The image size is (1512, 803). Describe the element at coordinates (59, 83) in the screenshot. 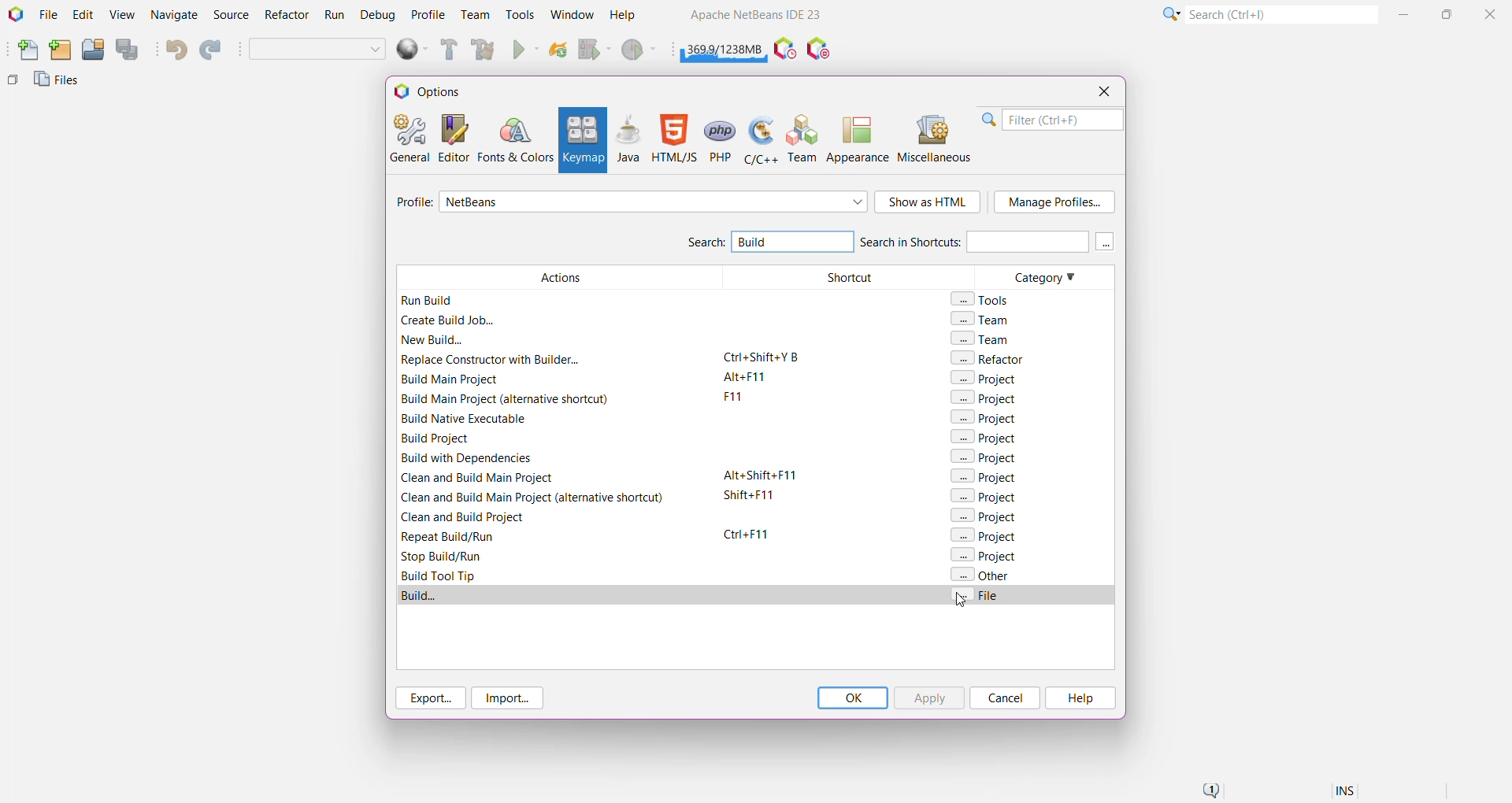

I see `Files` at that location.